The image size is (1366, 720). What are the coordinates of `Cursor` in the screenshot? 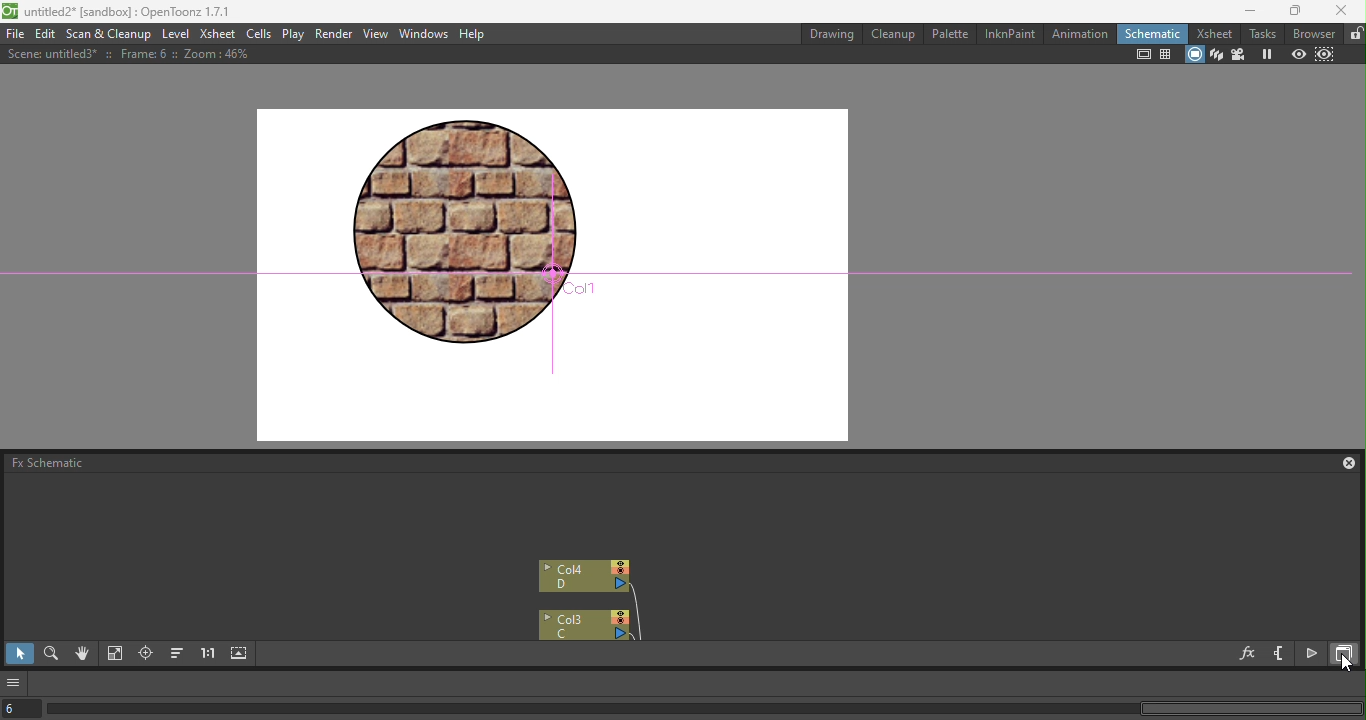 It's located at (1346, 663).